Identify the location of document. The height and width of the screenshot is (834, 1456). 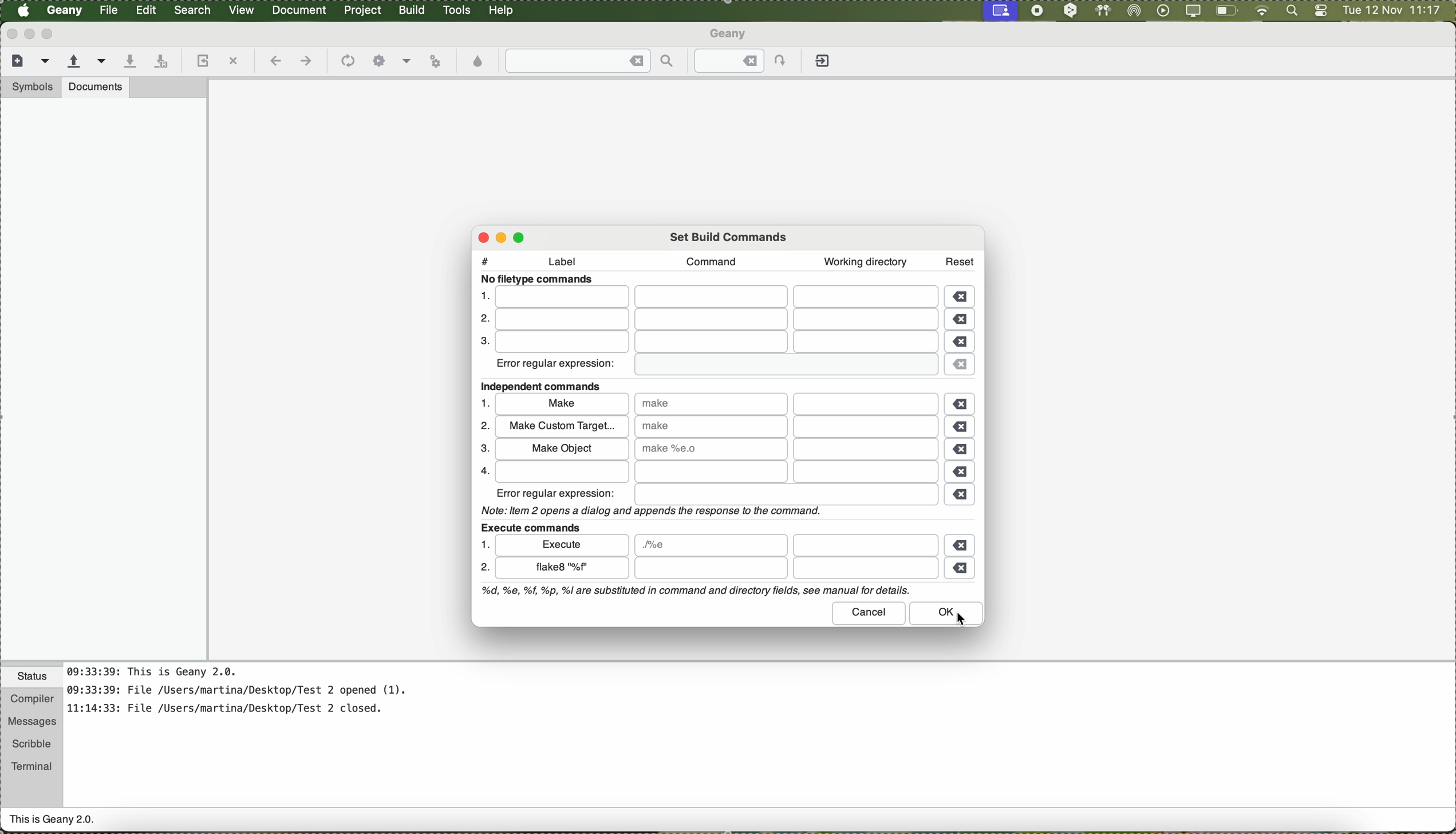
(299, 9).